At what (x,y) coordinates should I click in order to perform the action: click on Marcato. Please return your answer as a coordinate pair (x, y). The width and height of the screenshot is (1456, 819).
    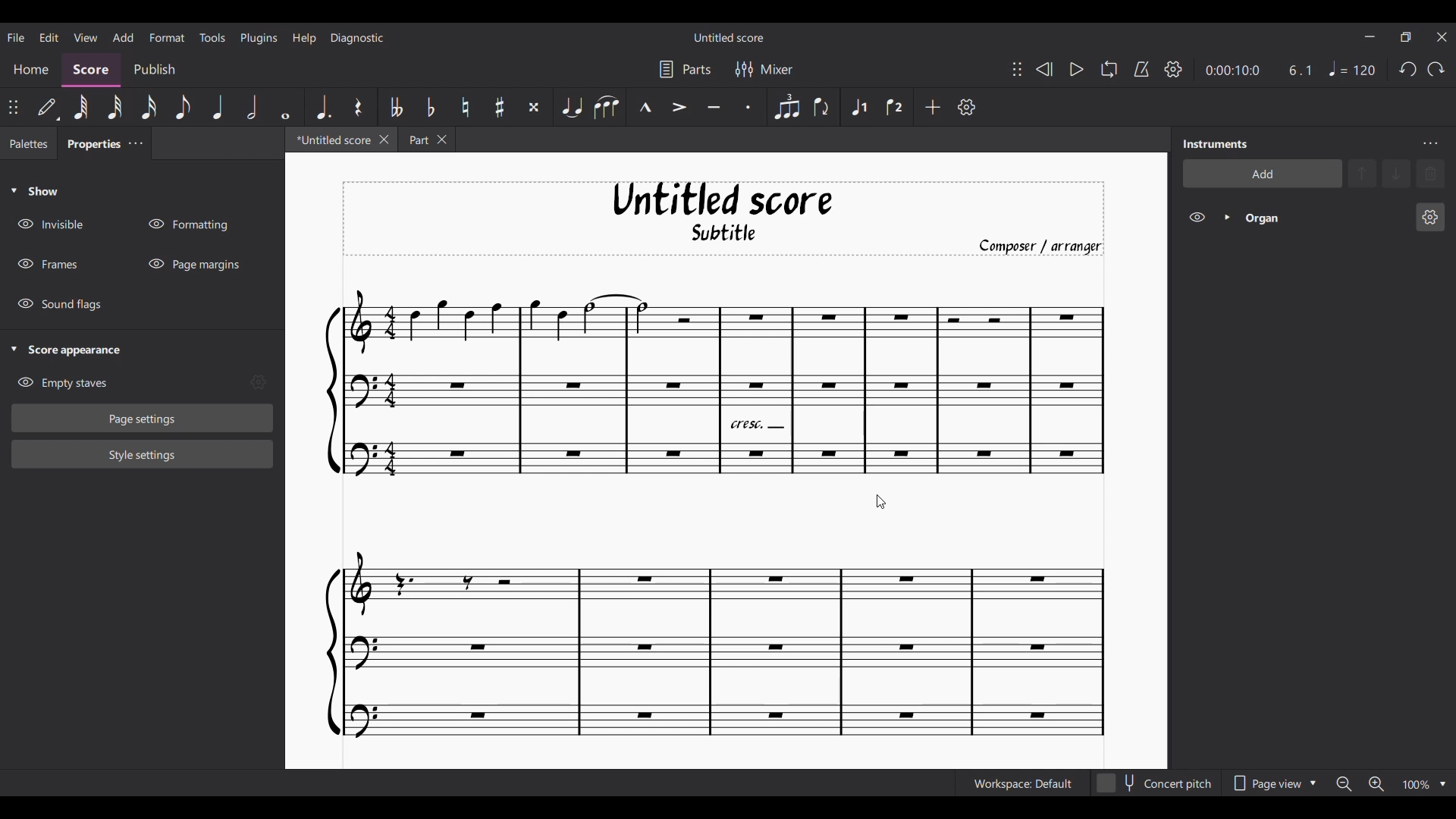
    Looking at the image, I should click on (644, 108).